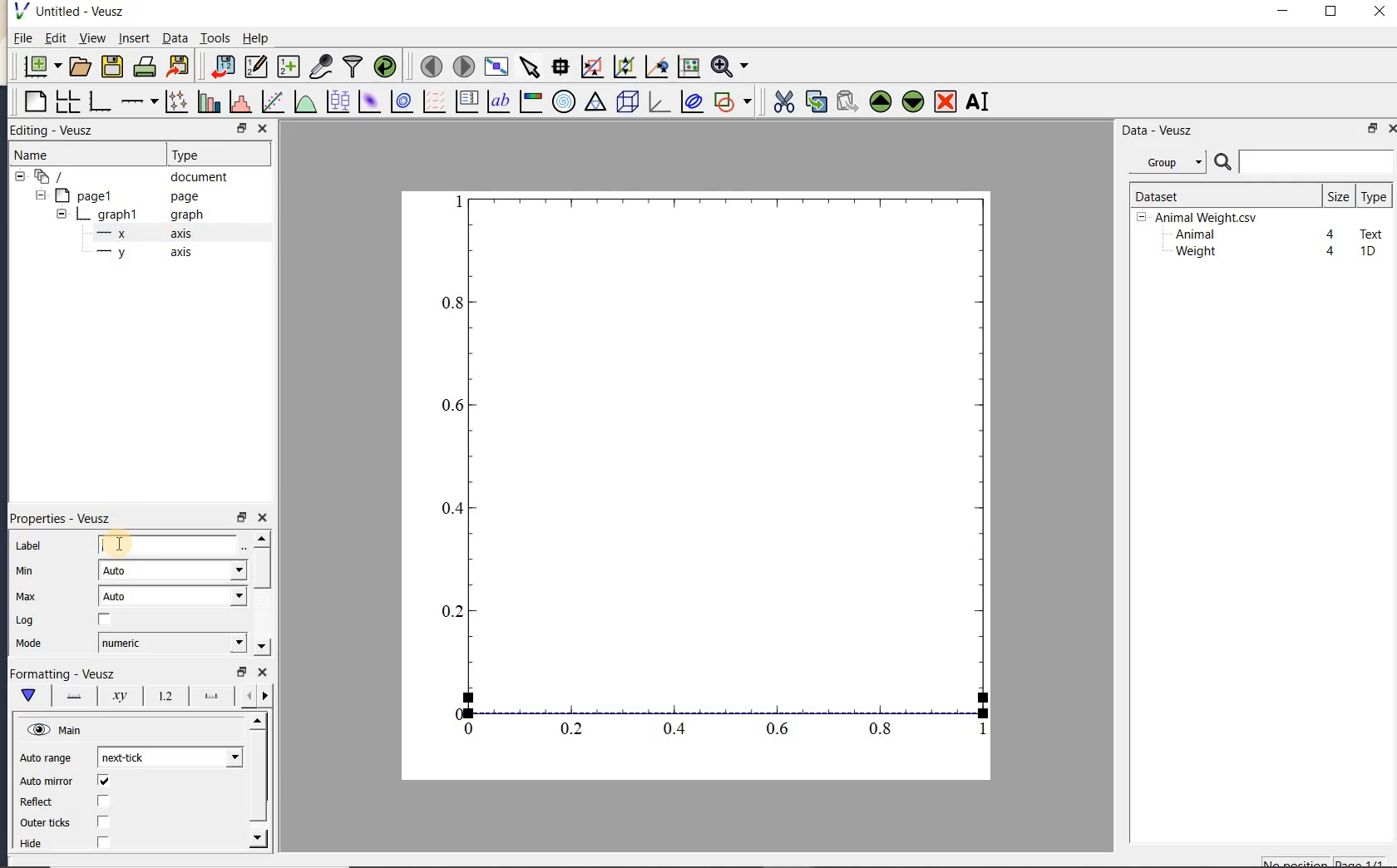  Describe the element at coordinates (44, 782) in the screenshot. I see `Auto mirror` at that location.